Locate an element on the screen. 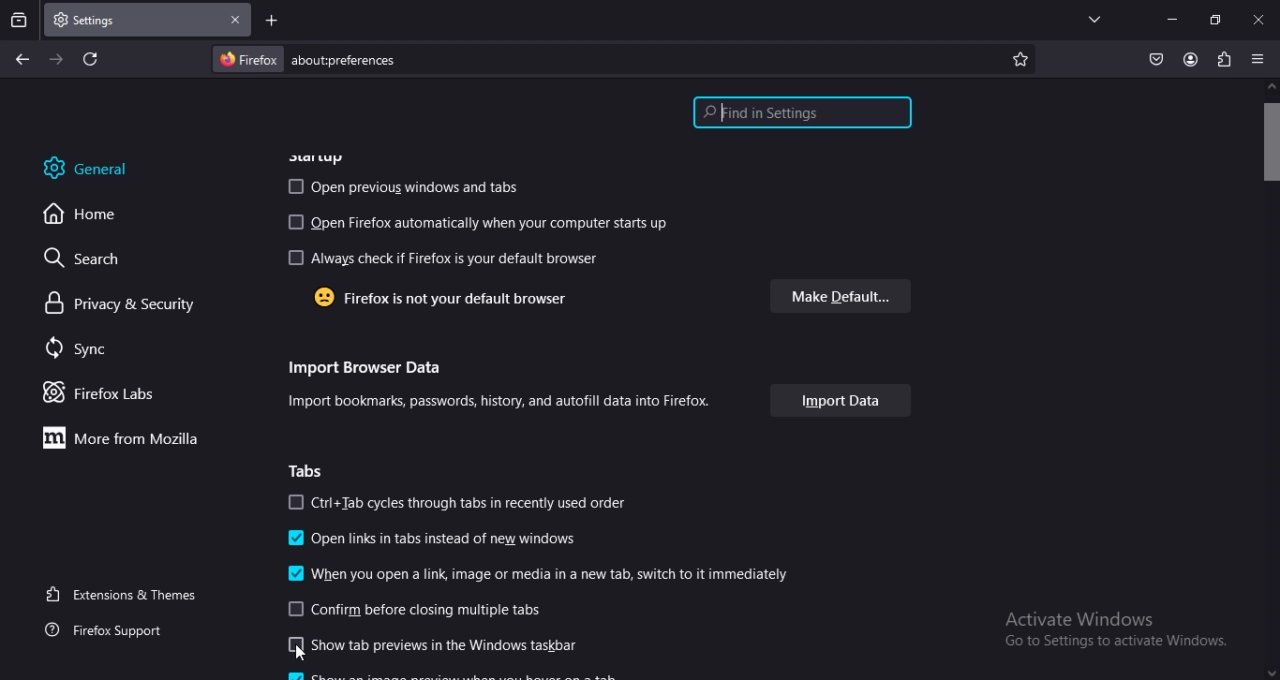 The image size is (1280, 680). home is located at coordinates (89, 216).